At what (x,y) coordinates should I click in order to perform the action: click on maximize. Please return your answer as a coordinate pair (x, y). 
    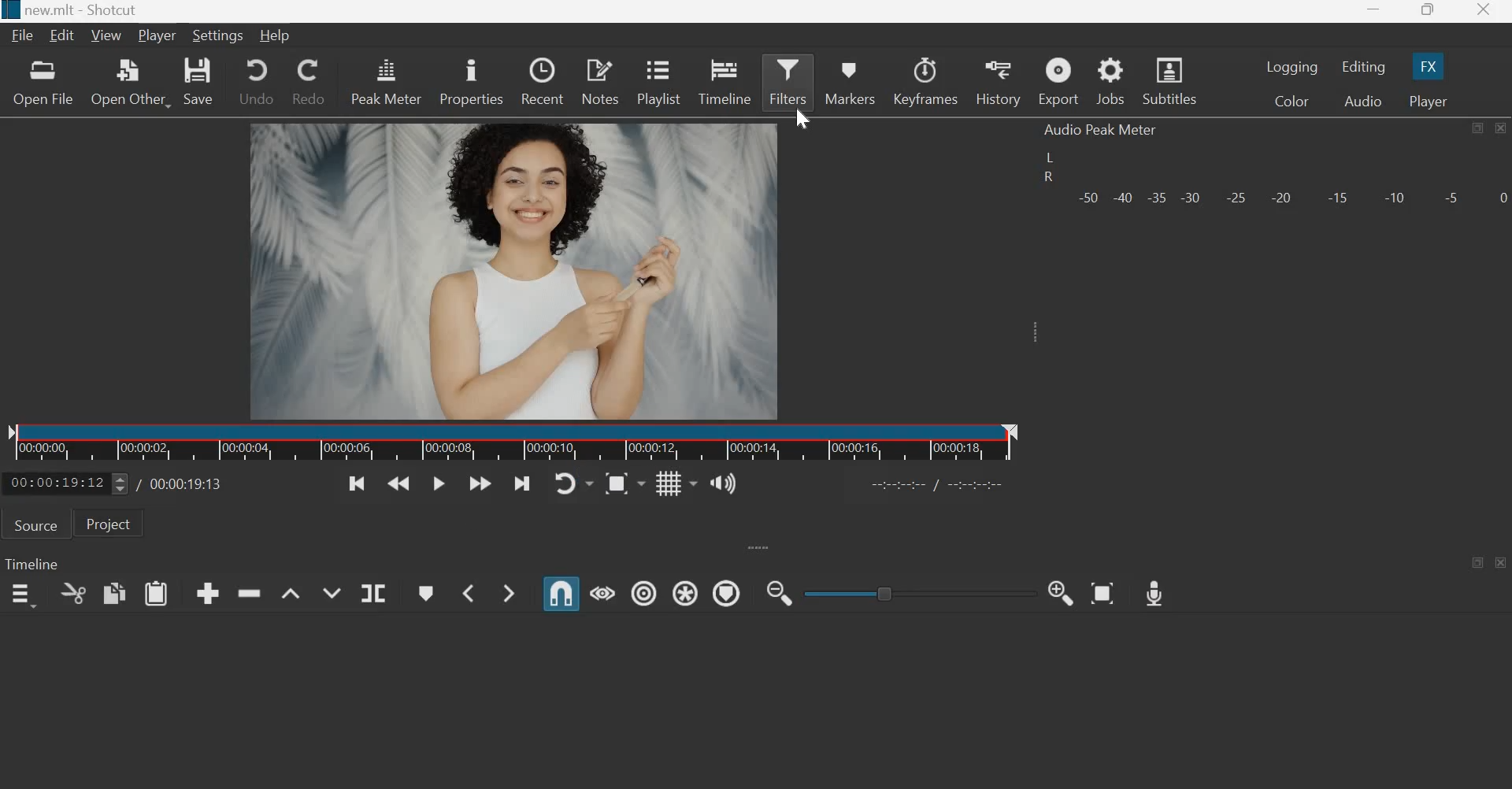
    Looking at the image, I should click on (1427, 12).